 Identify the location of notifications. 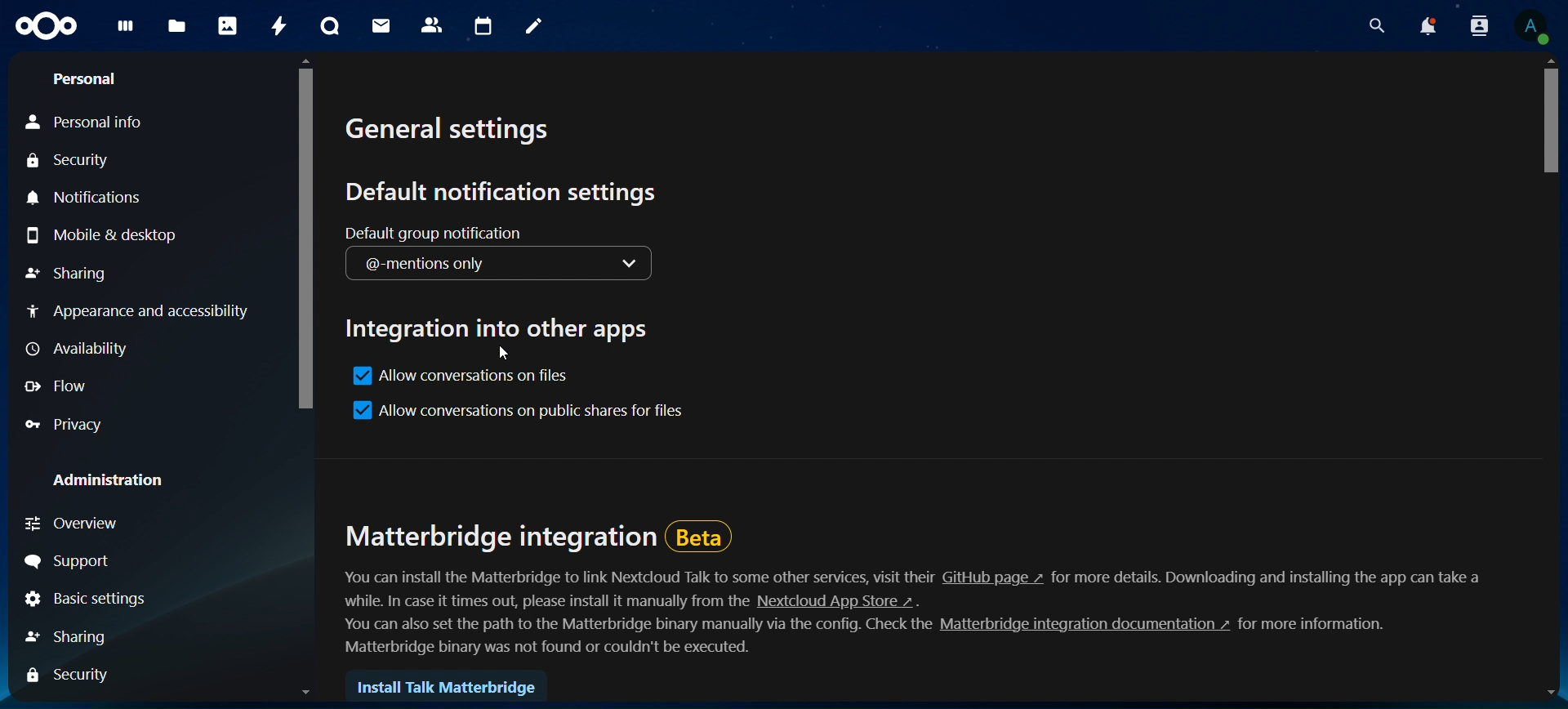
(91, 197).